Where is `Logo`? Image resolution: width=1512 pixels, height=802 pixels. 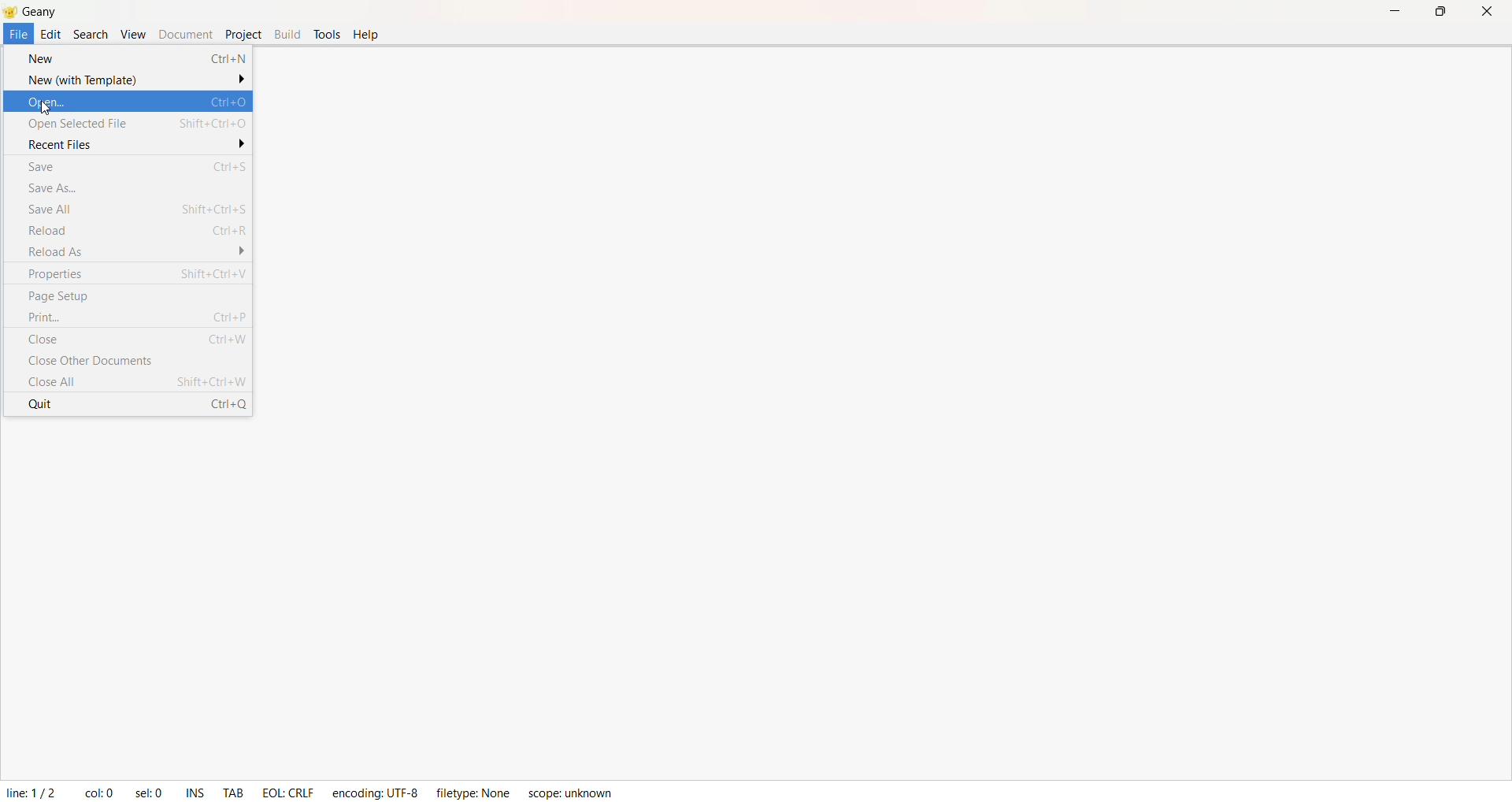
Logo is located at coordinates (9, 13).